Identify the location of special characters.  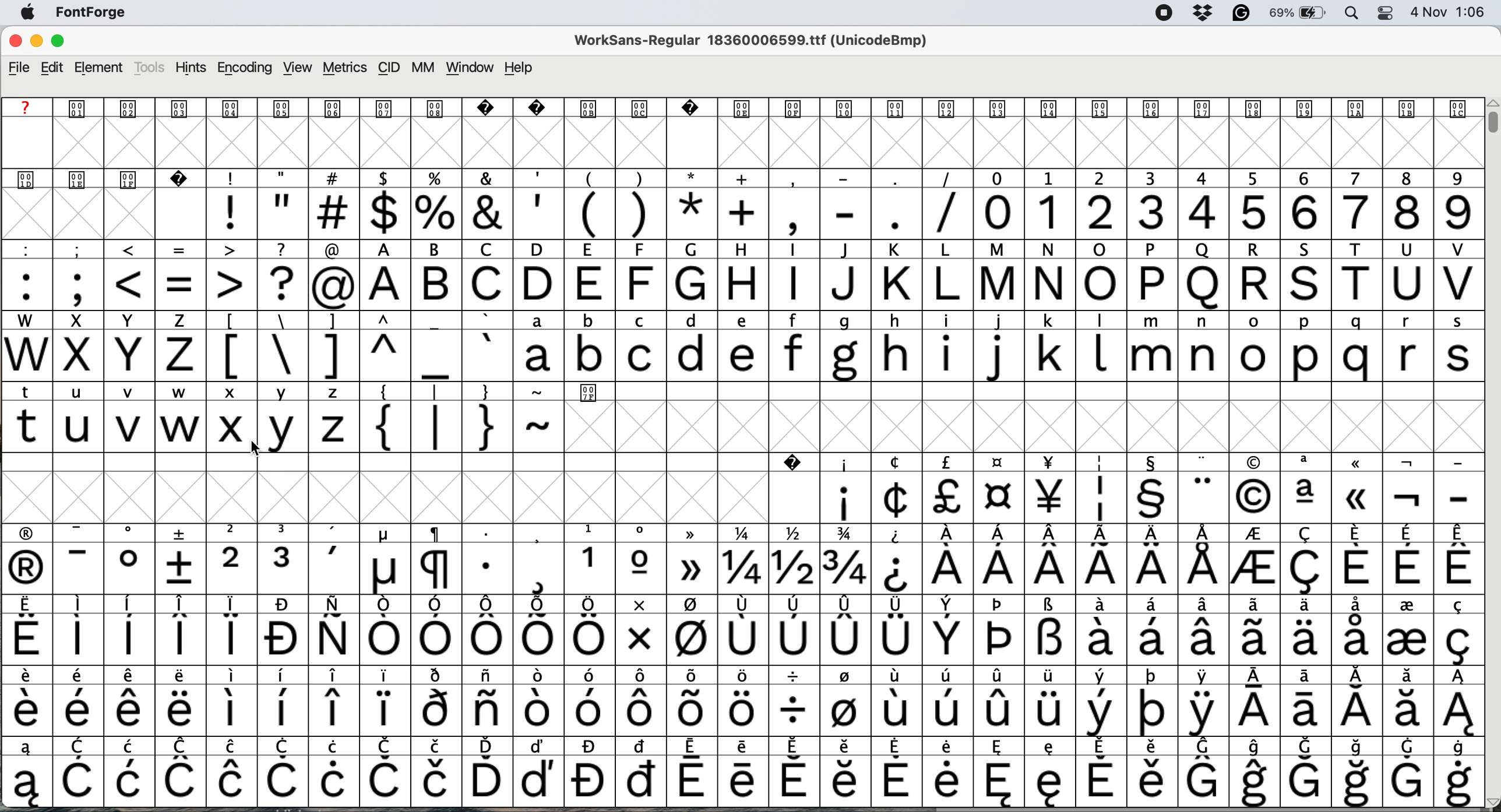
(466, 428).